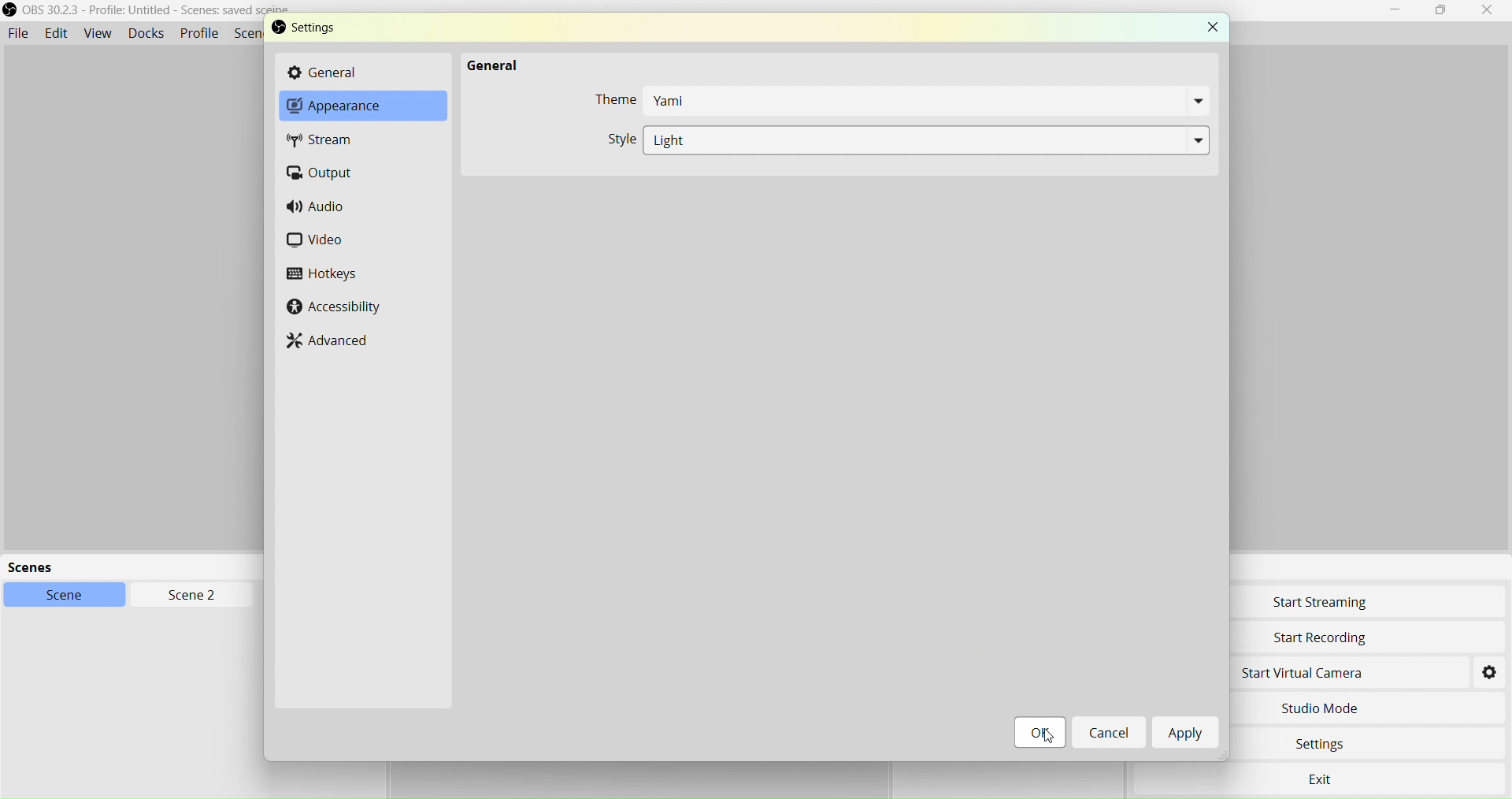  Describe the element at coordinates (1351, 637) in the screenshot. I see `Start Recording` at that location.